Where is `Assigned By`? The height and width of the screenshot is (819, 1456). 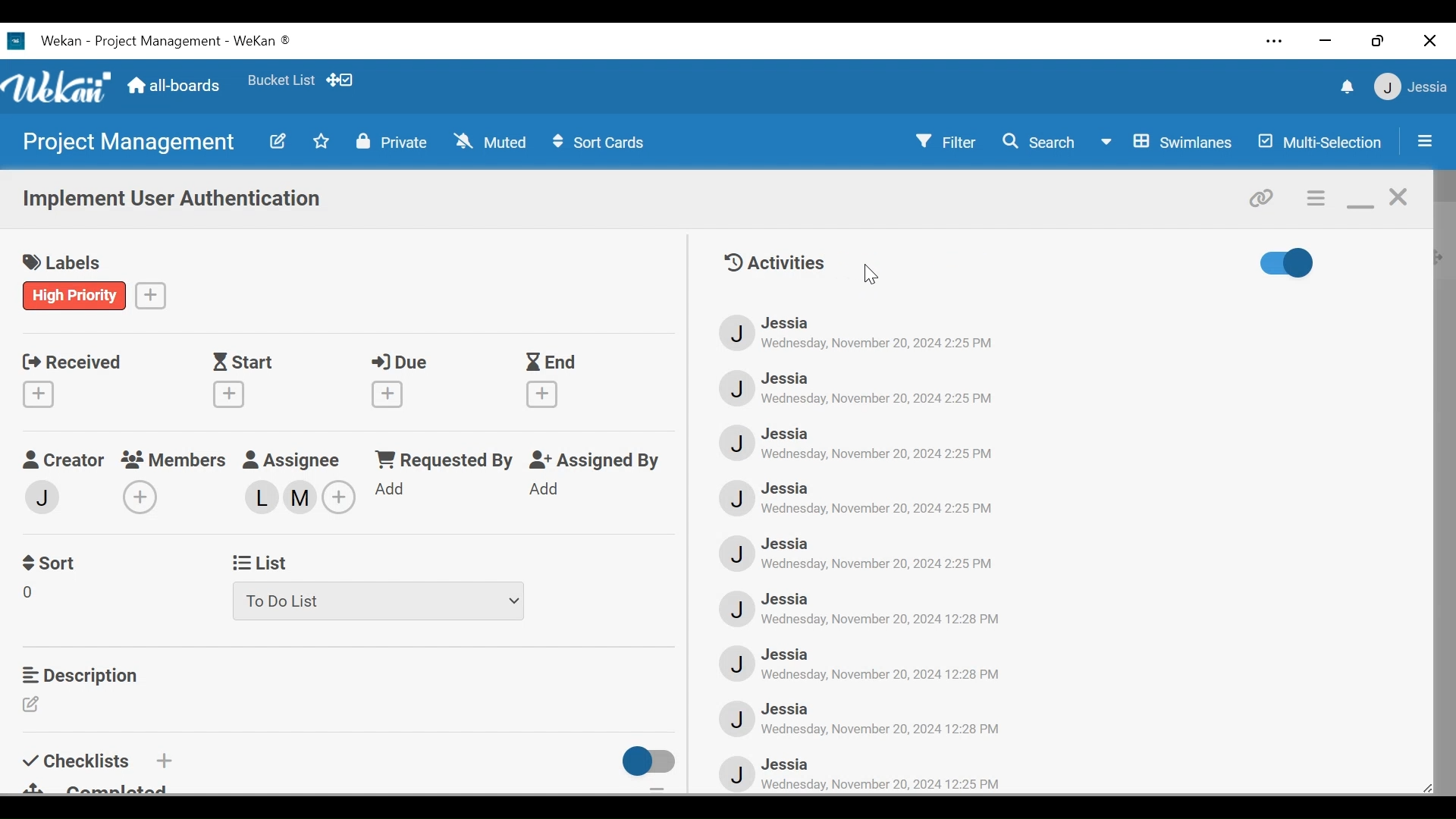 Assigned By is located at coordinates (594, 460).